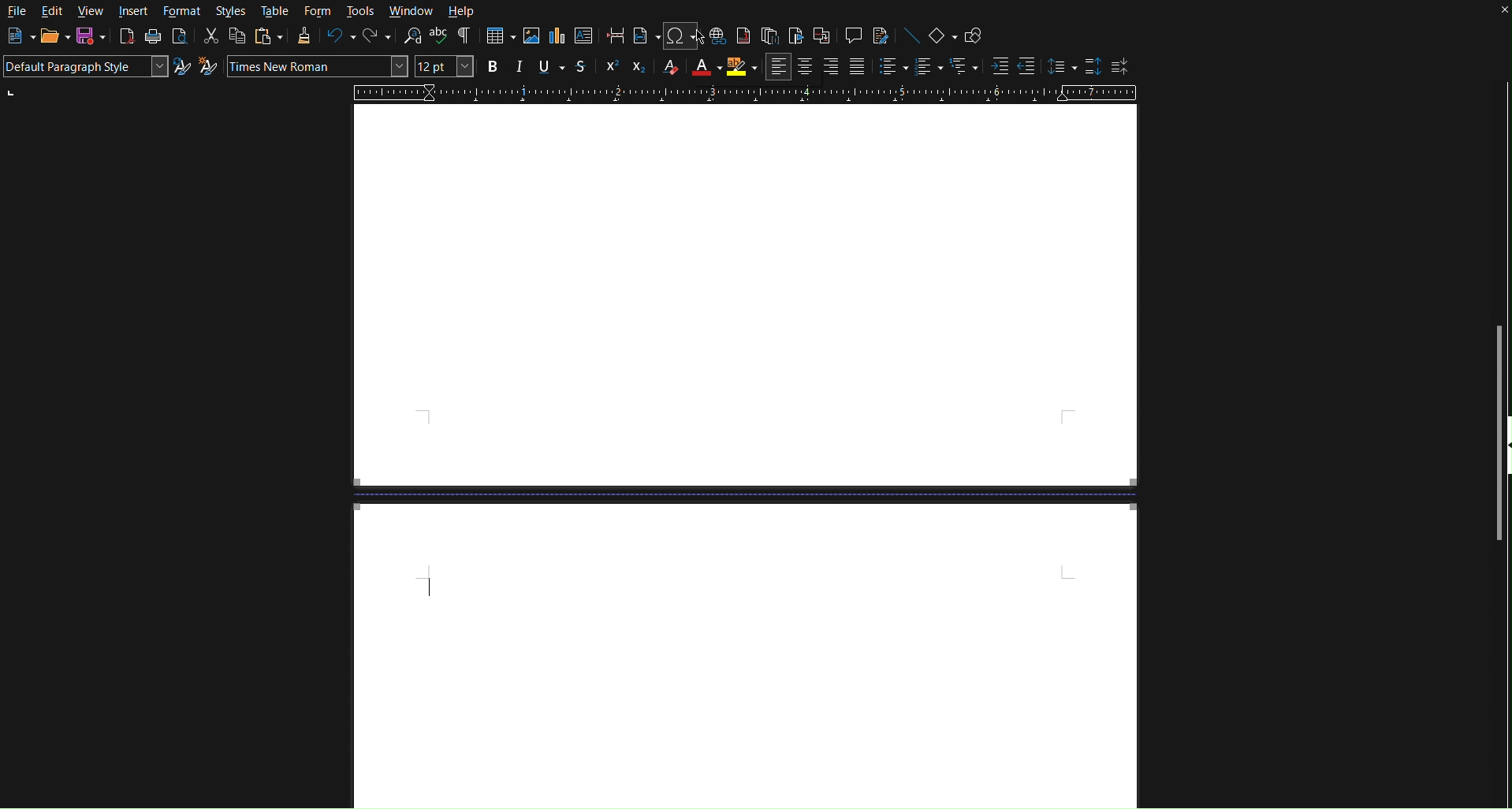  What do you see at coordinates (180, 39) in the screenshot?
I see `Toggle print preview` at bounding box center [180, 39].